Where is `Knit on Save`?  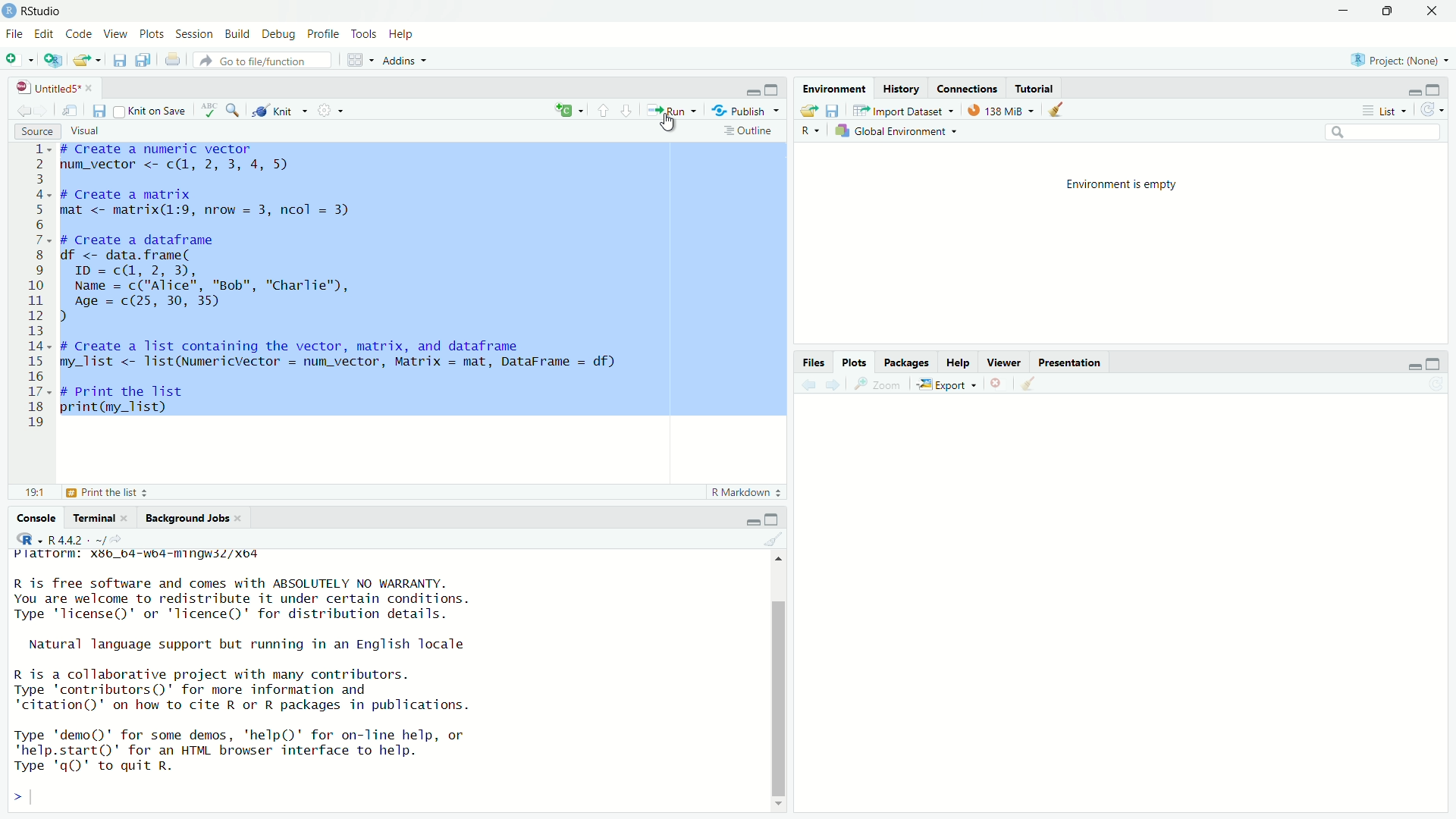
Knit on Save is located at coordinates (148, 110).